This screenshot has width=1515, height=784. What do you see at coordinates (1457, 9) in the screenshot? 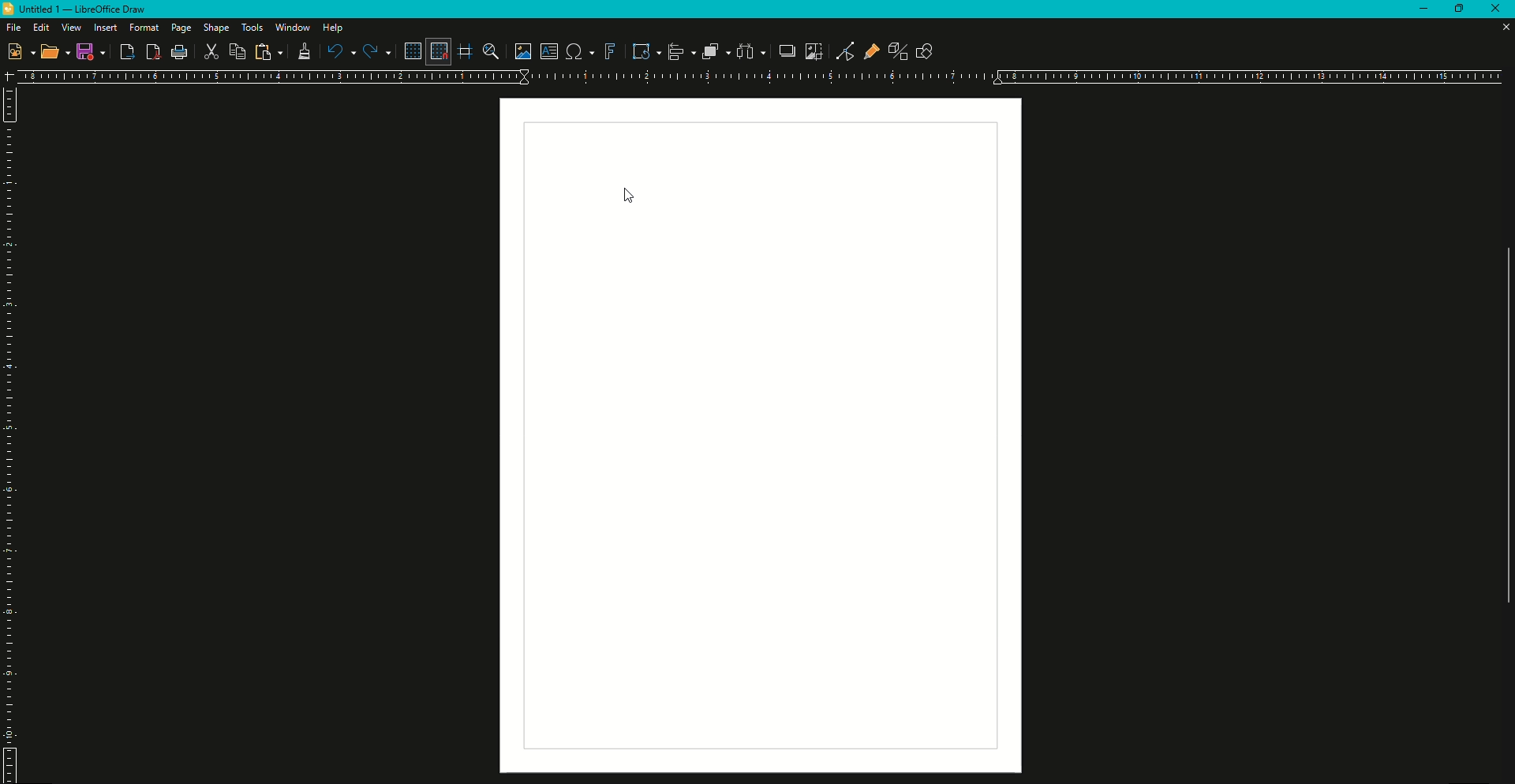
I see `Restore` at bounding box center [1457, 9].